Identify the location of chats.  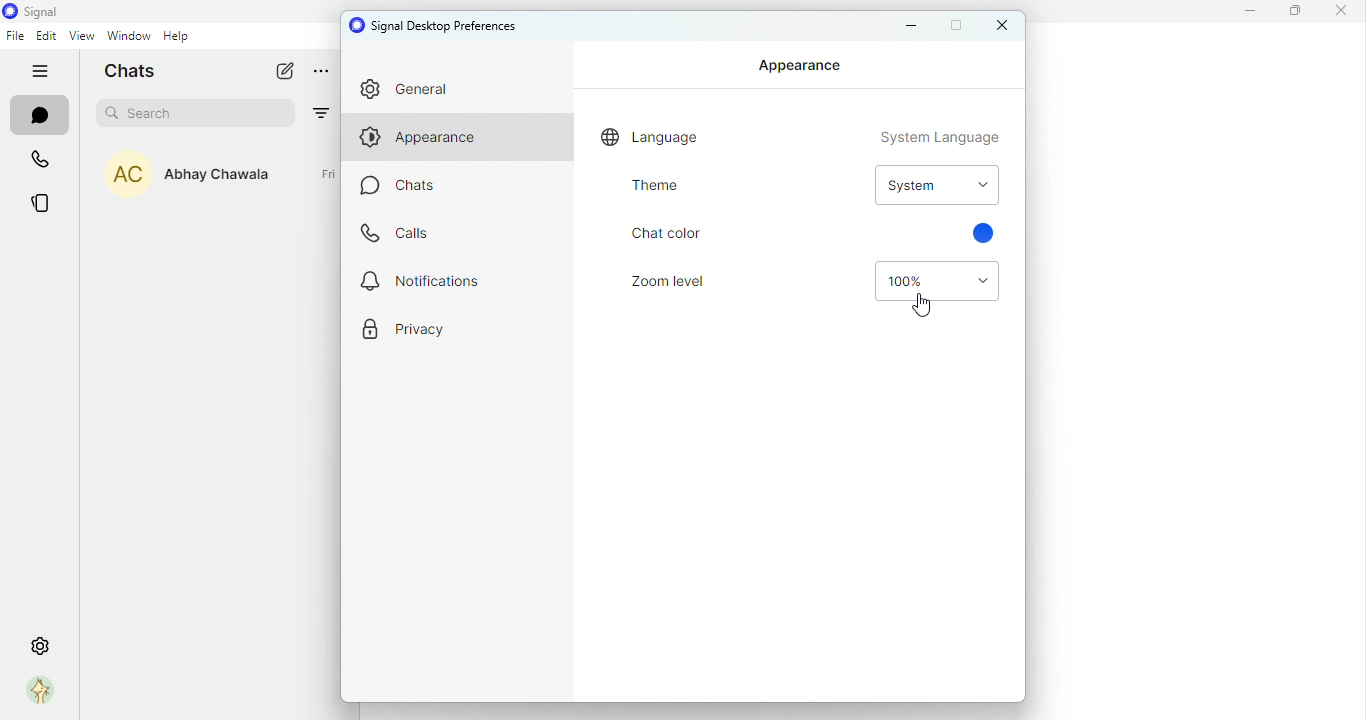
(37, 116).